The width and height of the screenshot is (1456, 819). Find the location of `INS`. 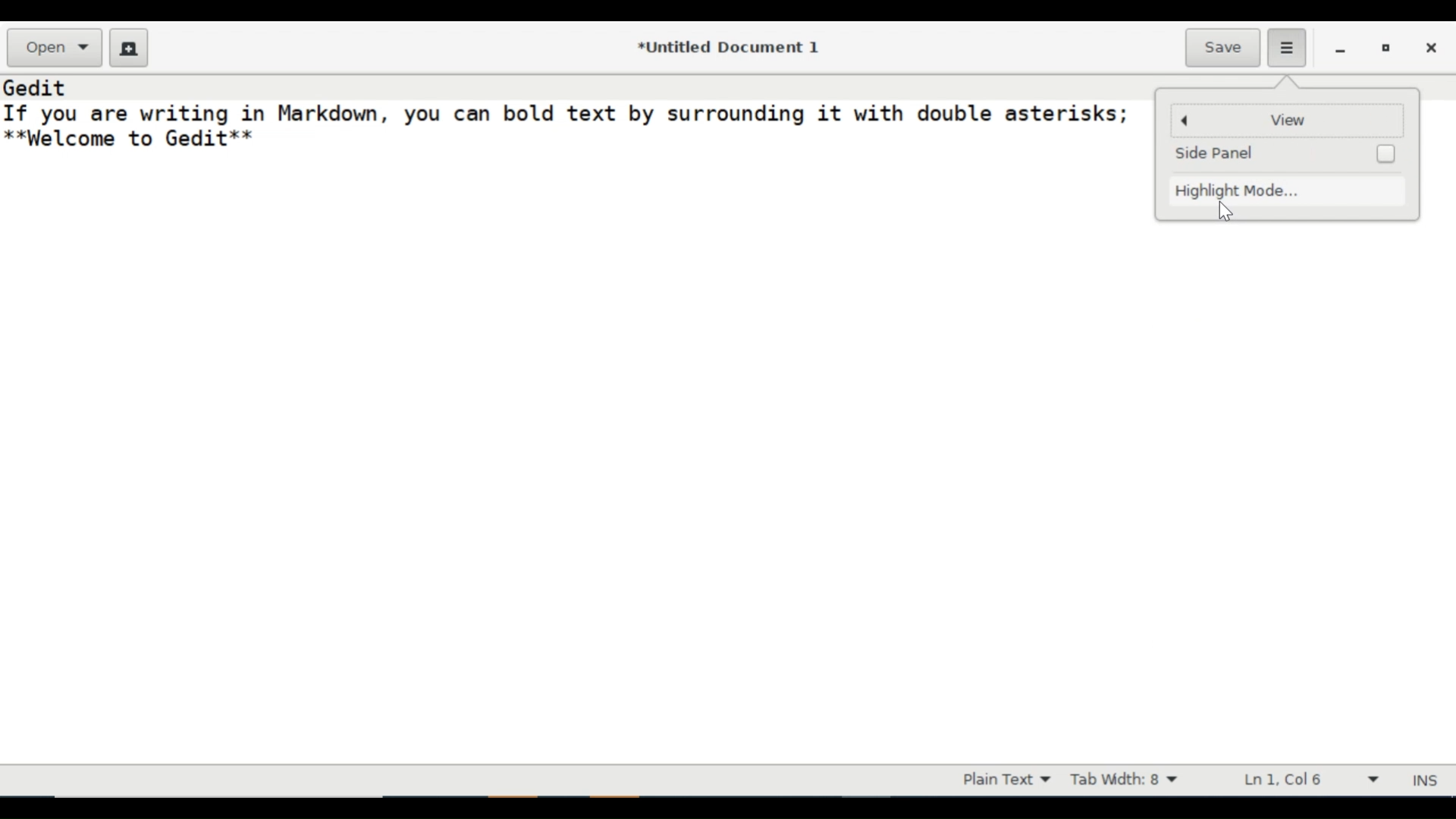

INS is located at coordinates (1428, 780).